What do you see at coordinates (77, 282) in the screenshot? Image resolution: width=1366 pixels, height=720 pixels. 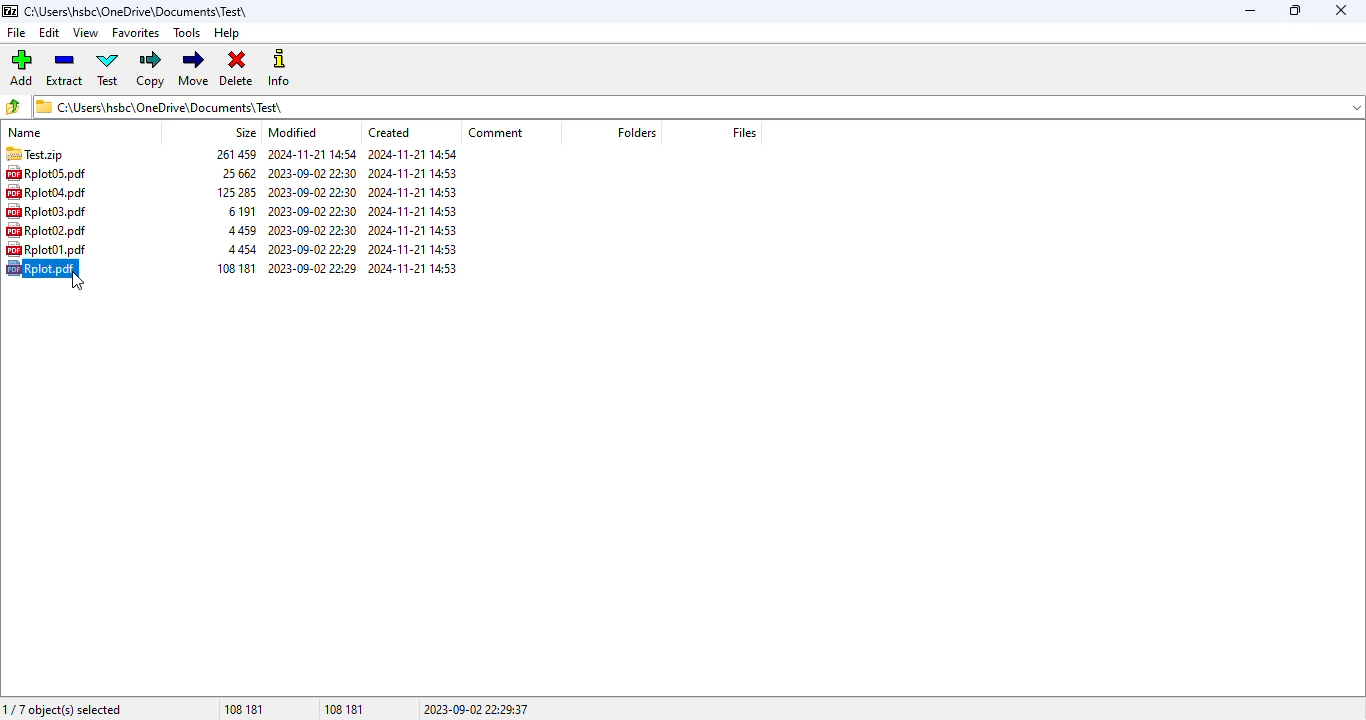 I see `cursor` at bounding box center [77, 282].